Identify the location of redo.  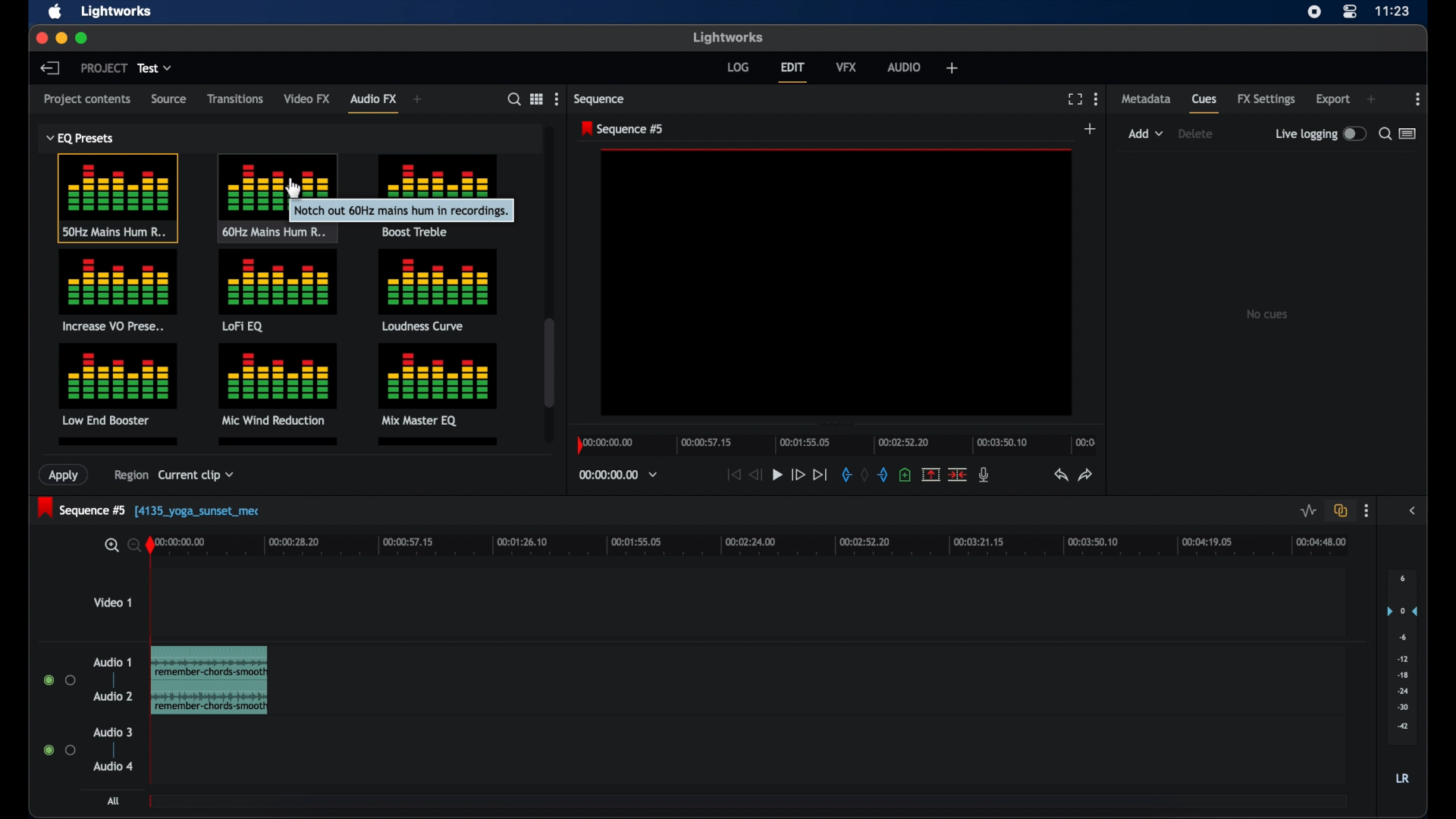
(1086, 475).